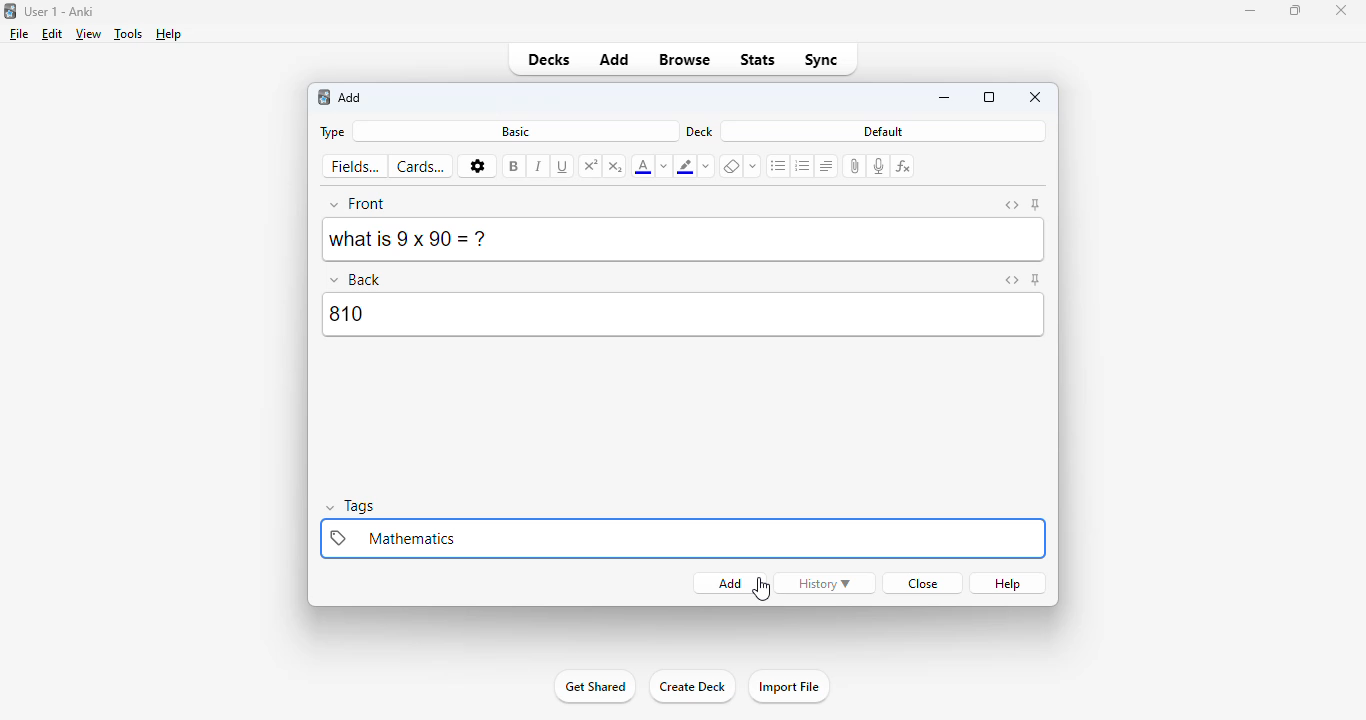 The image size is (1366, 720). What do you see at coordinates (1010, 280) in the screenshot?
I see `toggle HTML editor` at bounding box center [1010, 280].